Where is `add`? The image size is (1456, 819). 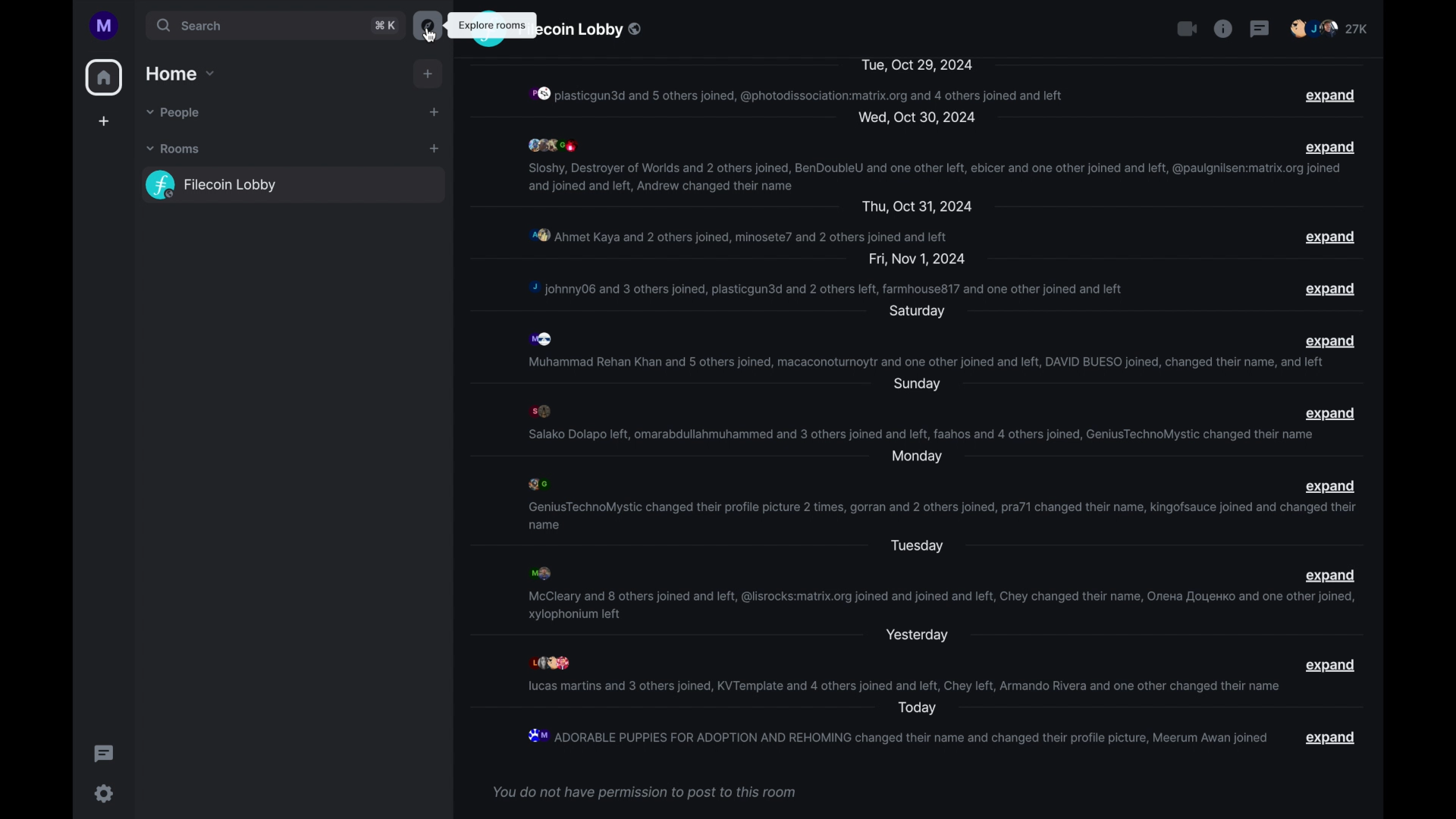 add is located at coordinates (428, 74).